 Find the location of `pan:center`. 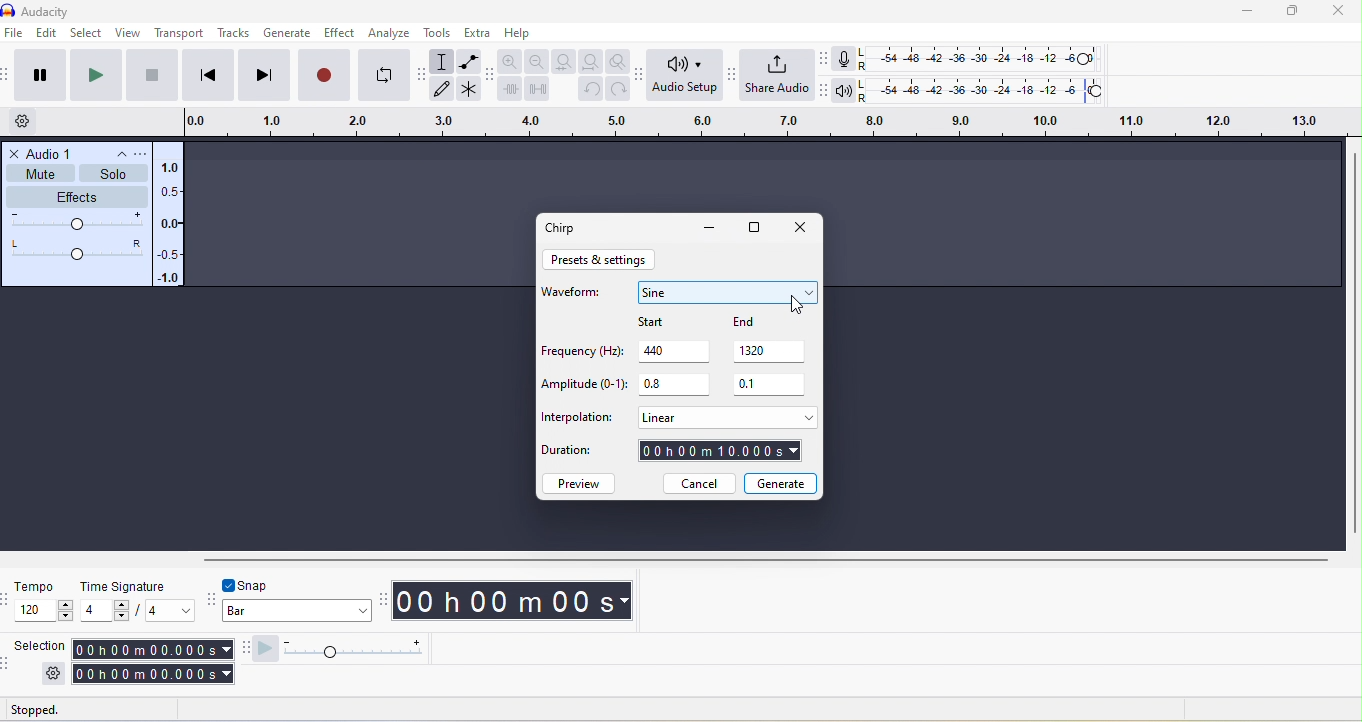

pan:center is located at coordinates (77, 249).